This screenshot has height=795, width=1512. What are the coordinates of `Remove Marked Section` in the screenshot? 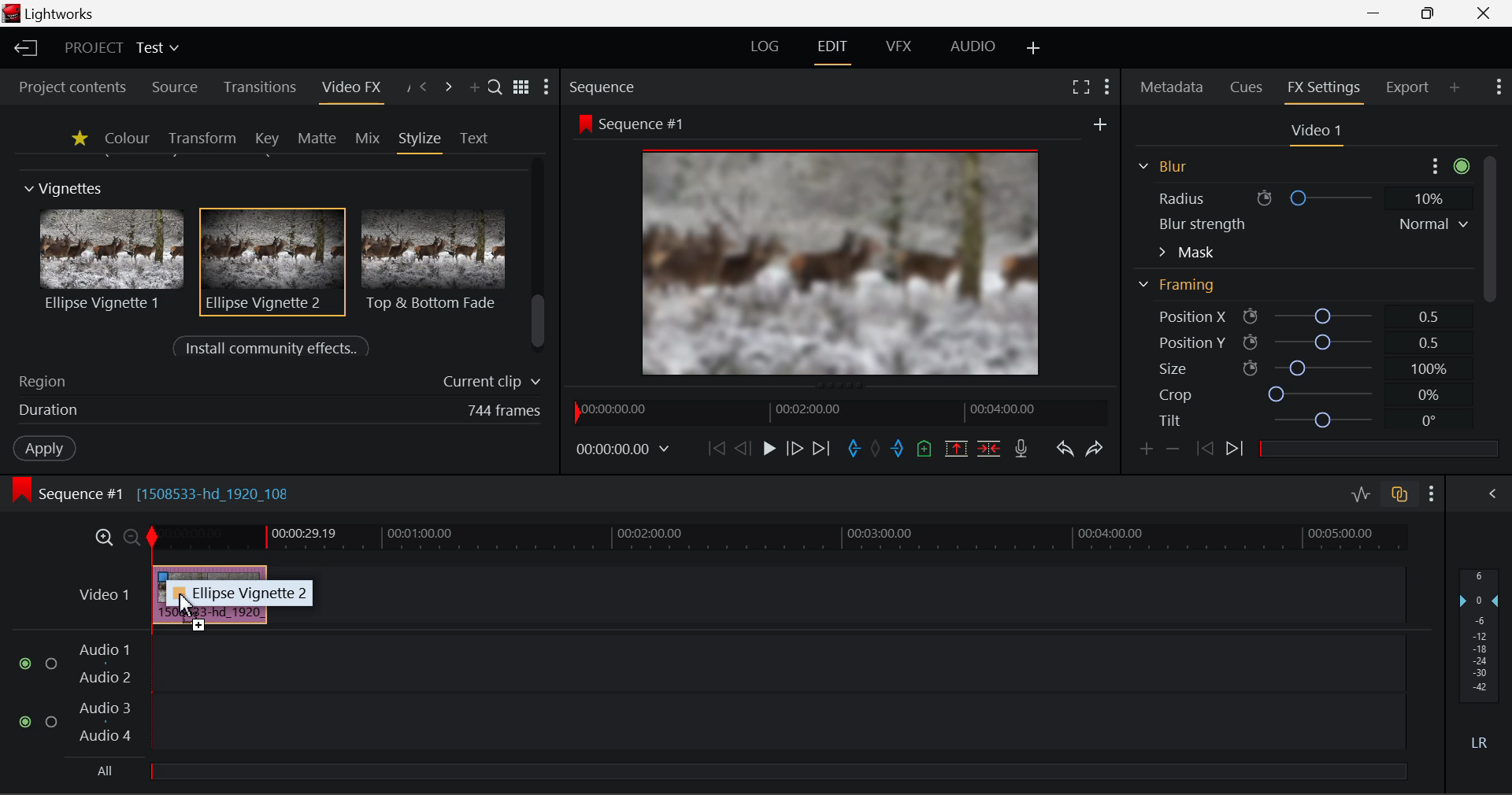 It's located at (958, 447).